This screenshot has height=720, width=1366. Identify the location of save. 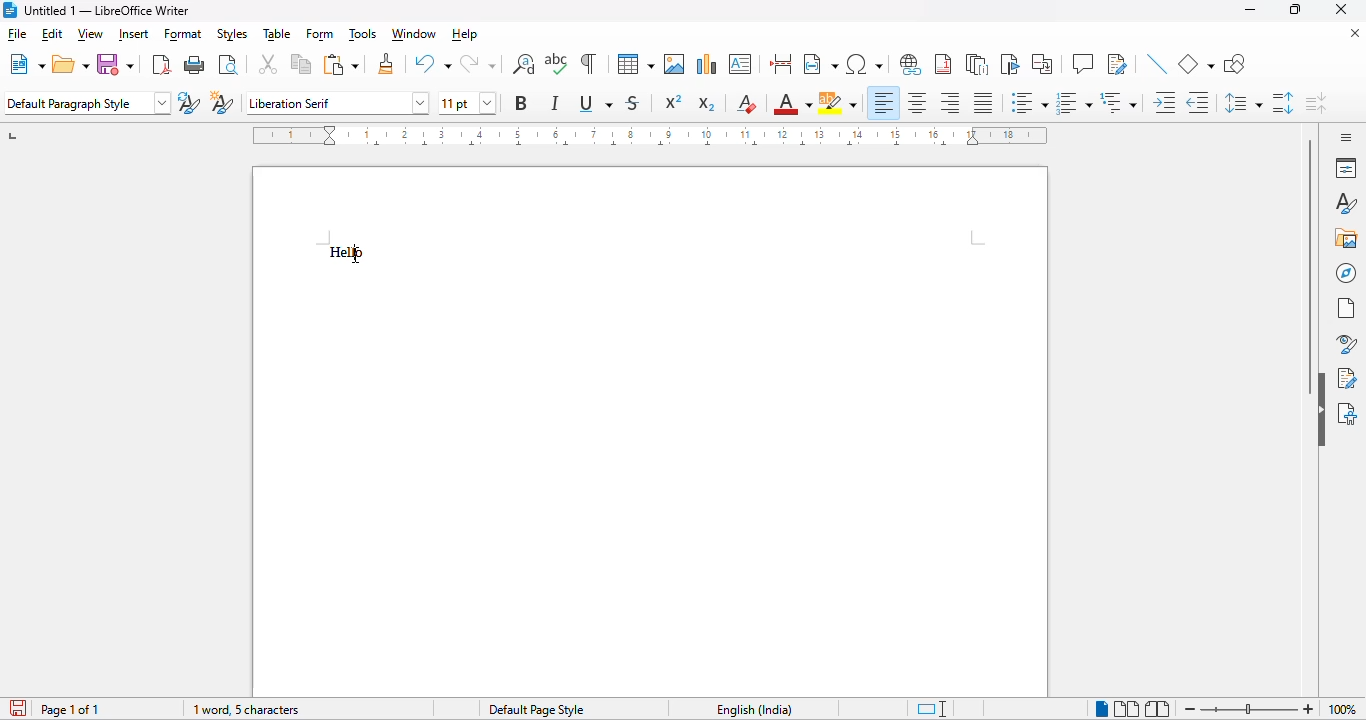
(116, 63).